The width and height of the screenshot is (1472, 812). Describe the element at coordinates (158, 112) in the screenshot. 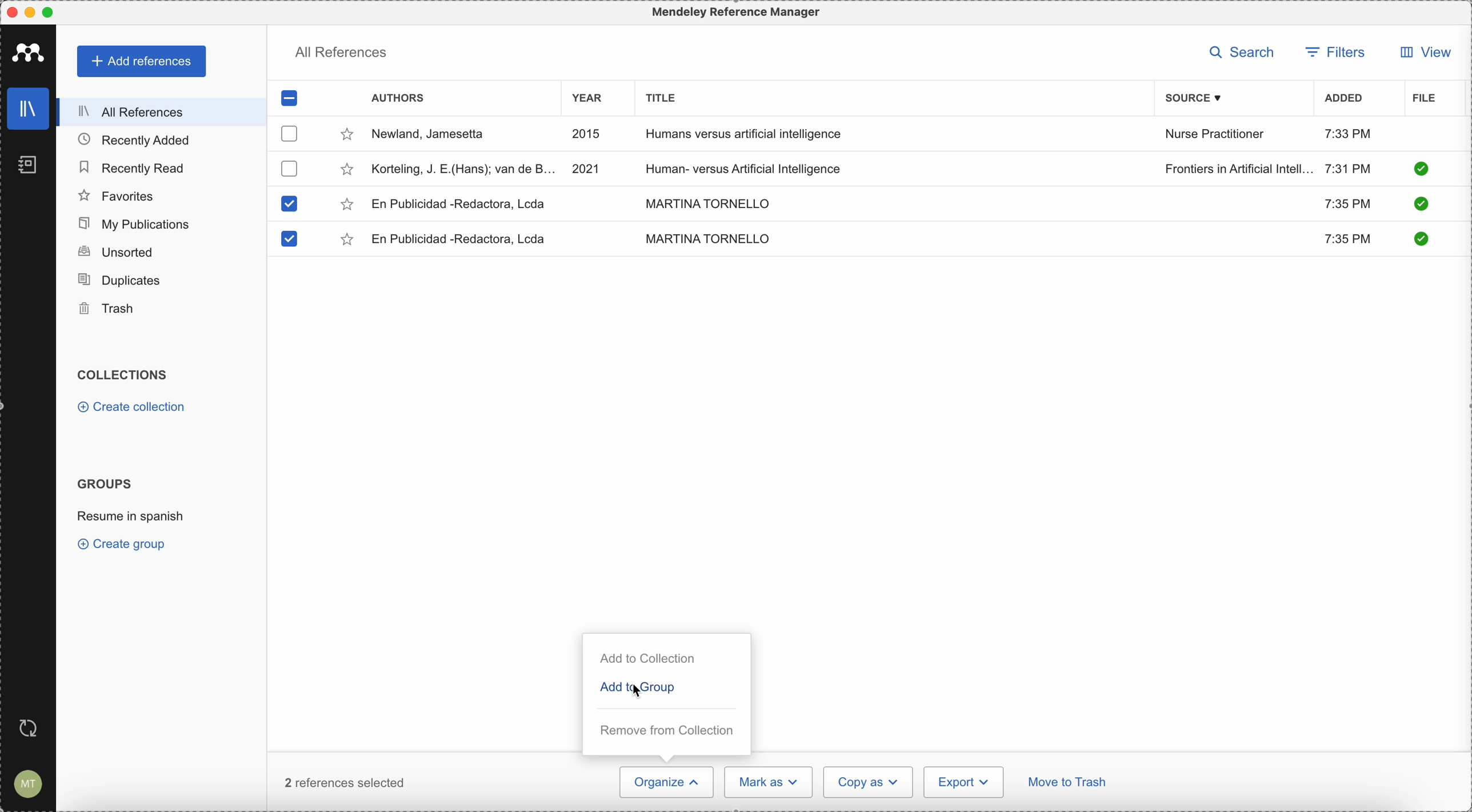

I see `all references` at that location.